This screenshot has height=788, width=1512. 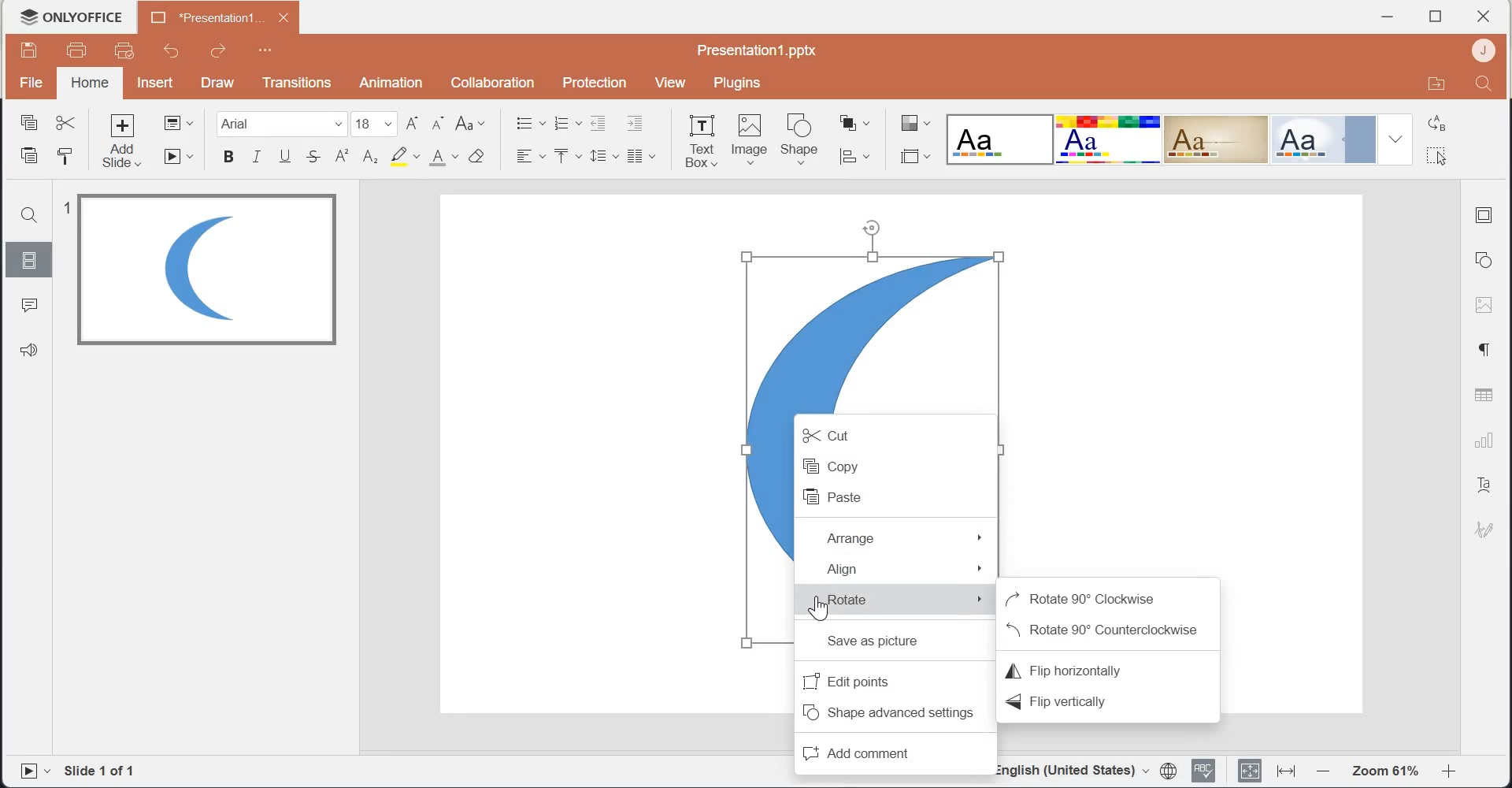 I want to click on Strike through, so click(x=314, y=156).